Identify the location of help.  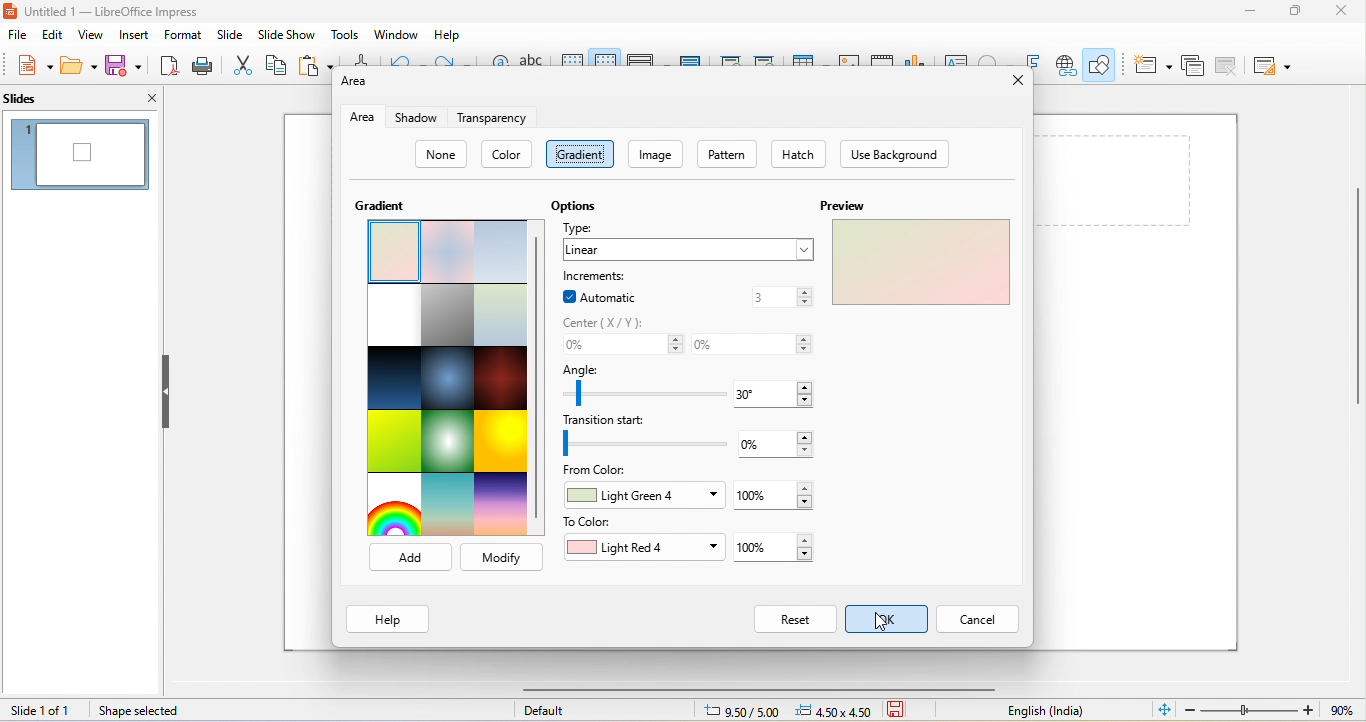
(449, 35).